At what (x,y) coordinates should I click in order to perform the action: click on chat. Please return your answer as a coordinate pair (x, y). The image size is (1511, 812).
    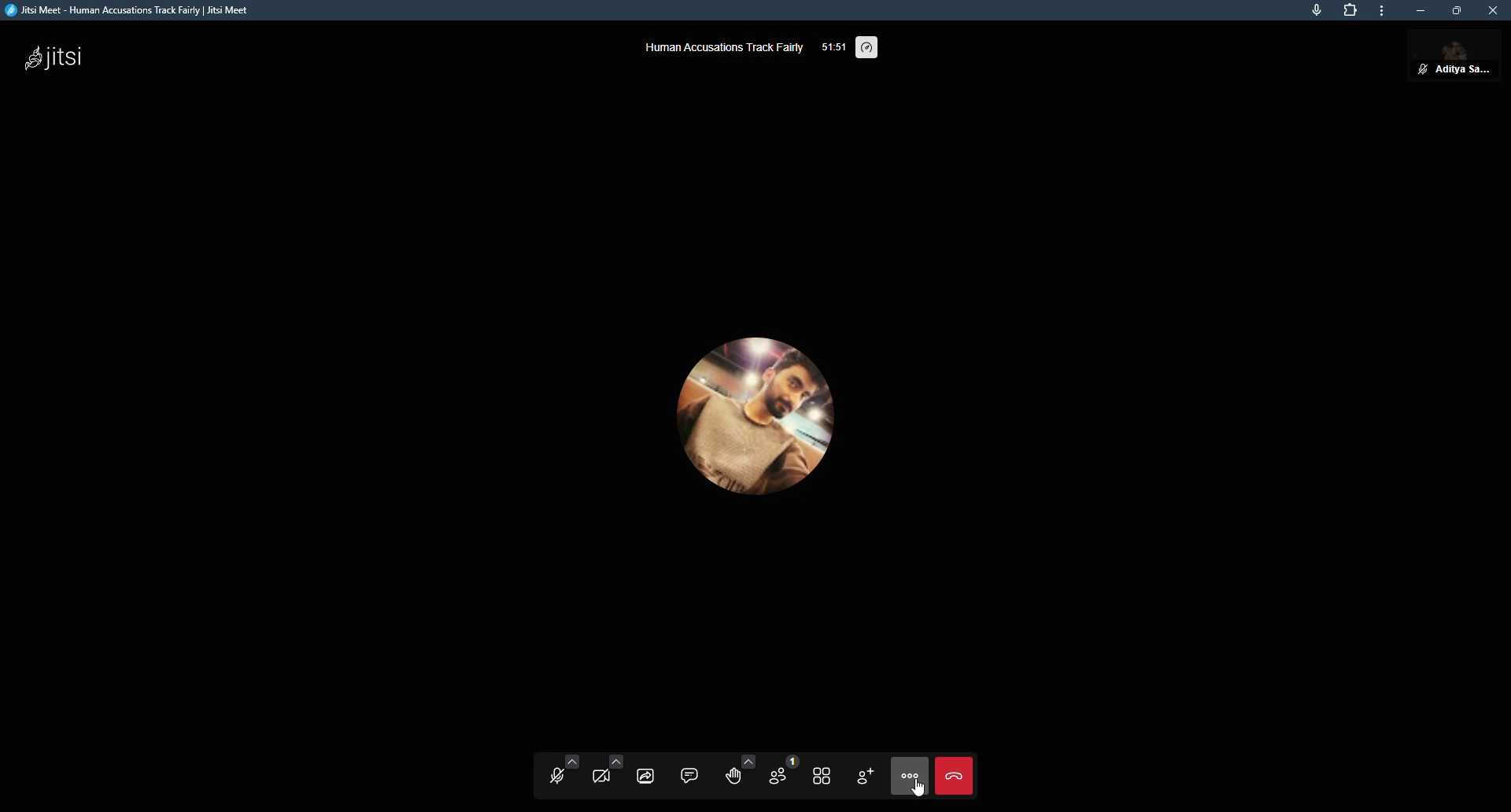
    Looking at the image, I should click on (686, 773).